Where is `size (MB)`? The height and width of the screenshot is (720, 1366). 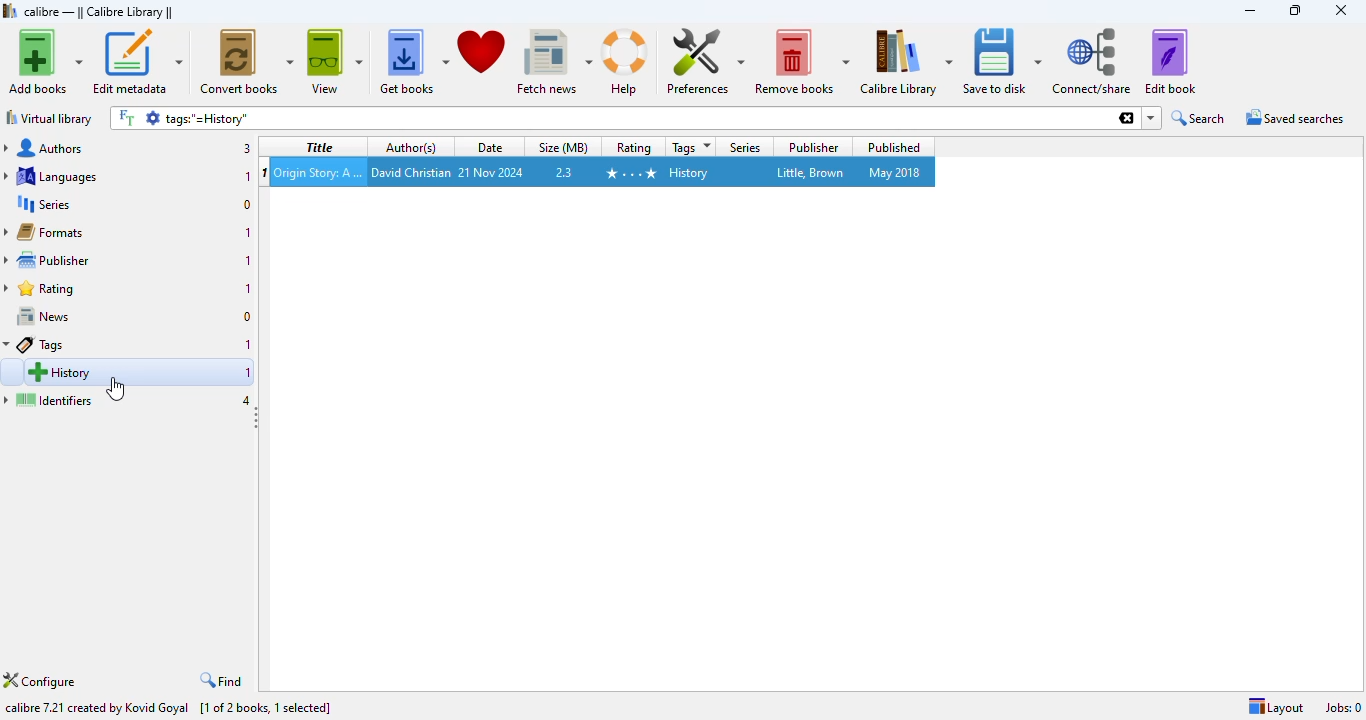 size (MB) is located at coordinates (562, 147).